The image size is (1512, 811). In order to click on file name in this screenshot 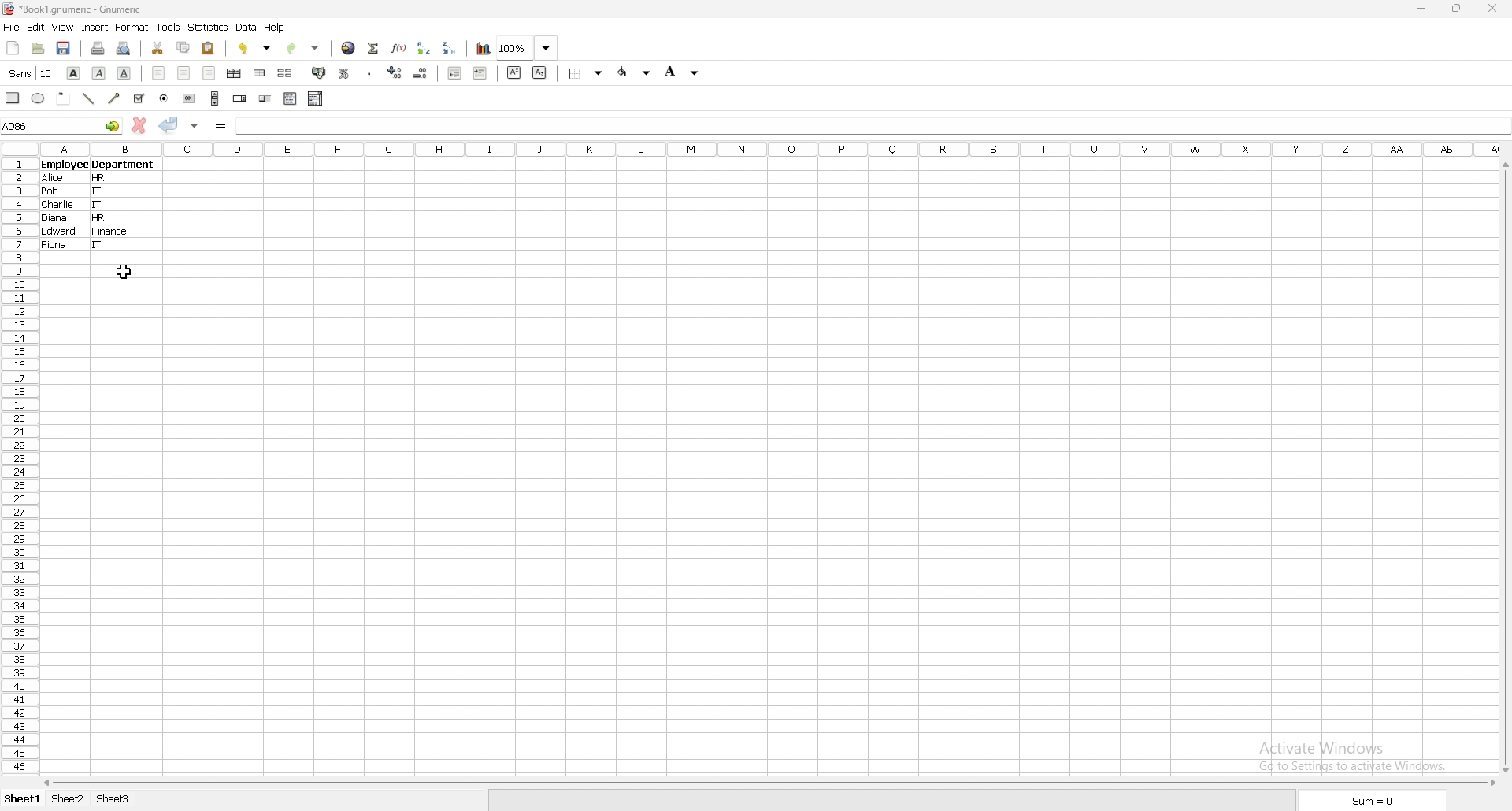, I will do `click(74, 9)`.